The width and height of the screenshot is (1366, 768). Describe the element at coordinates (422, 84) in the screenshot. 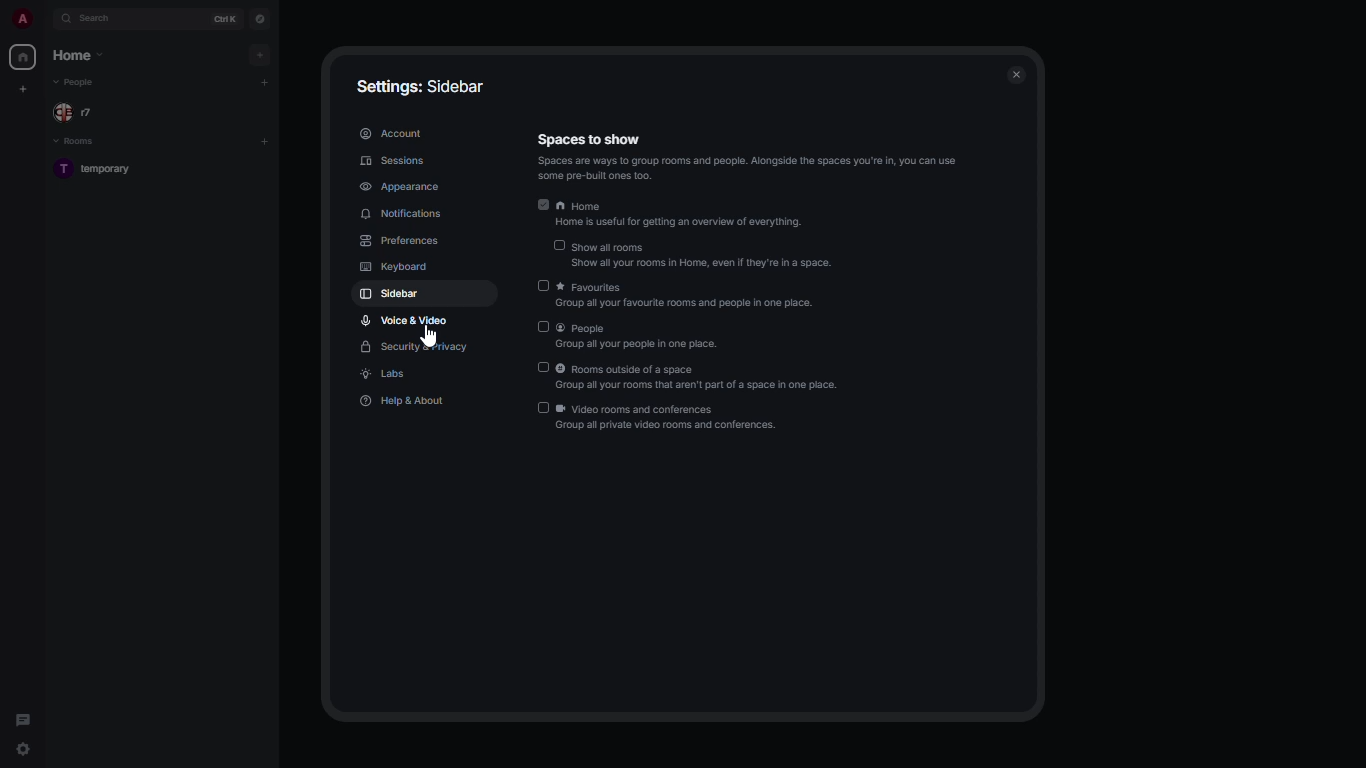

I see `settings: sidebar` at that location.